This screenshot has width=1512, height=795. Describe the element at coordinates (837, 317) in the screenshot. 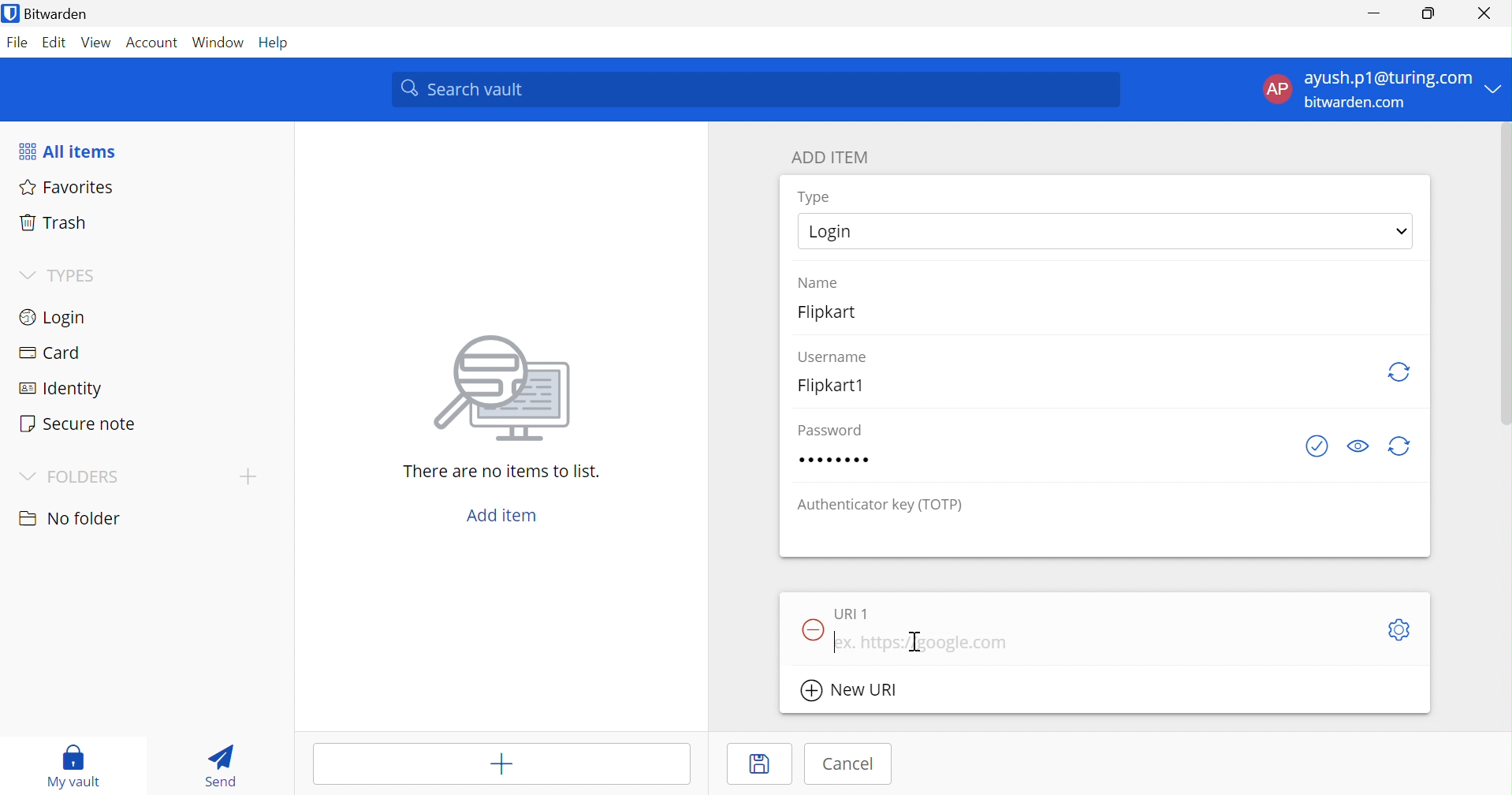

I see `Flipkart` at that location.